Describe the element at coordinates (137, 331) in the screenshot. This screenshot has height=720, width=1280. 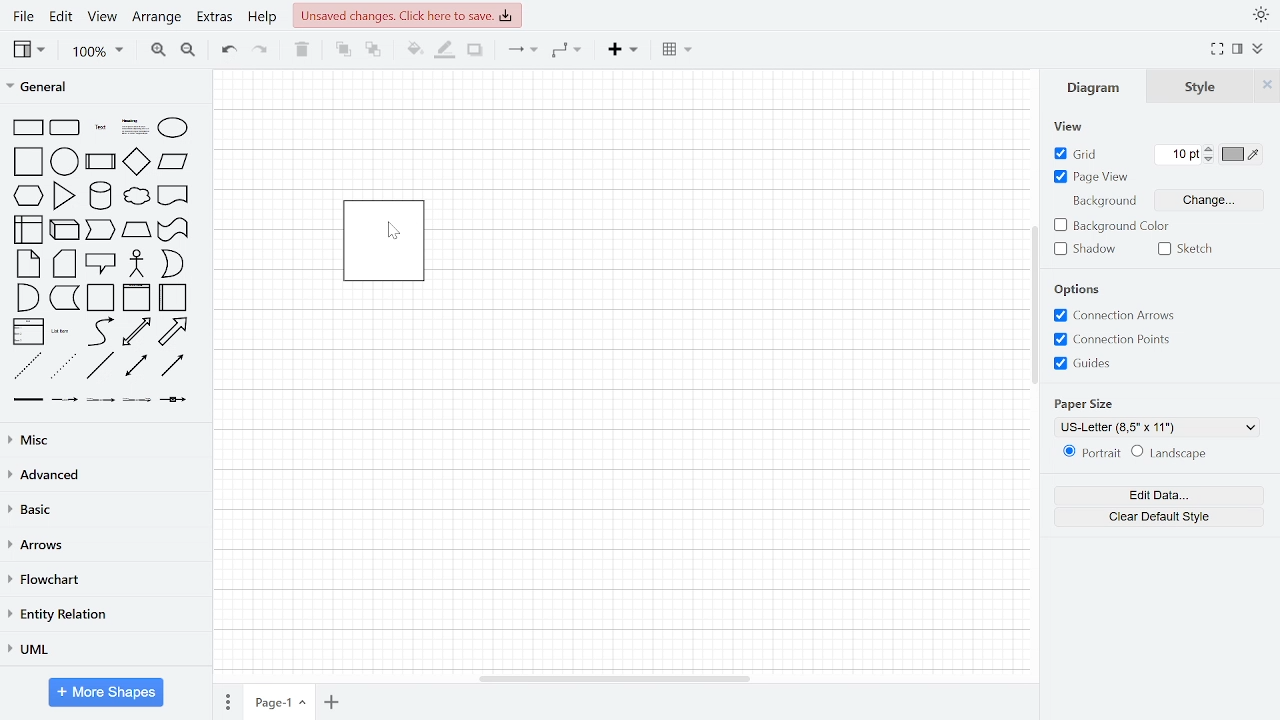
I see `bidirectional arrow` at that location.